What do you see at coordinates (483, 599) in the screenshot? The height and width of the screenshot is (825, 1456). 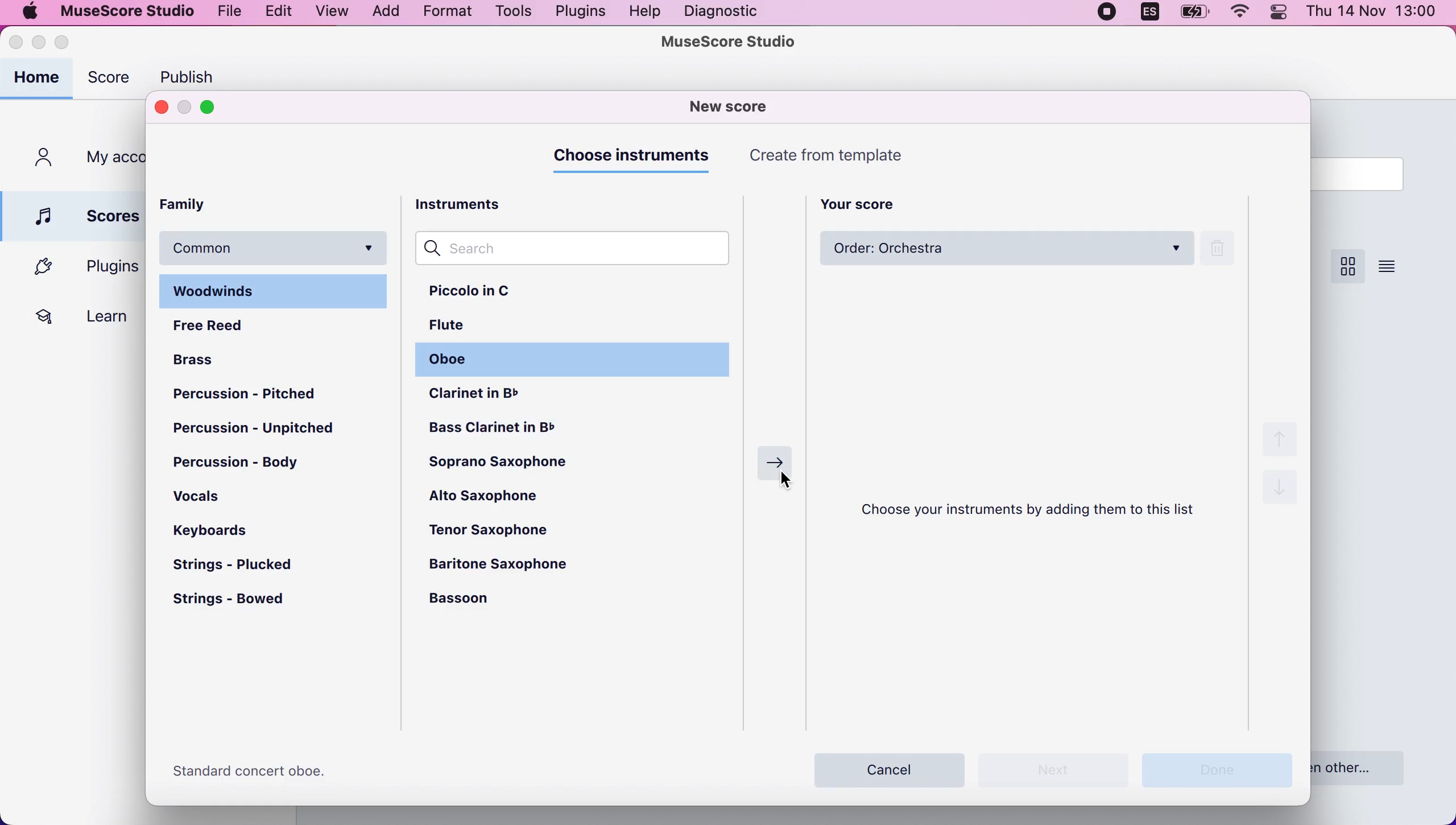 I see `bassoon` at bounding box center [483, 599].